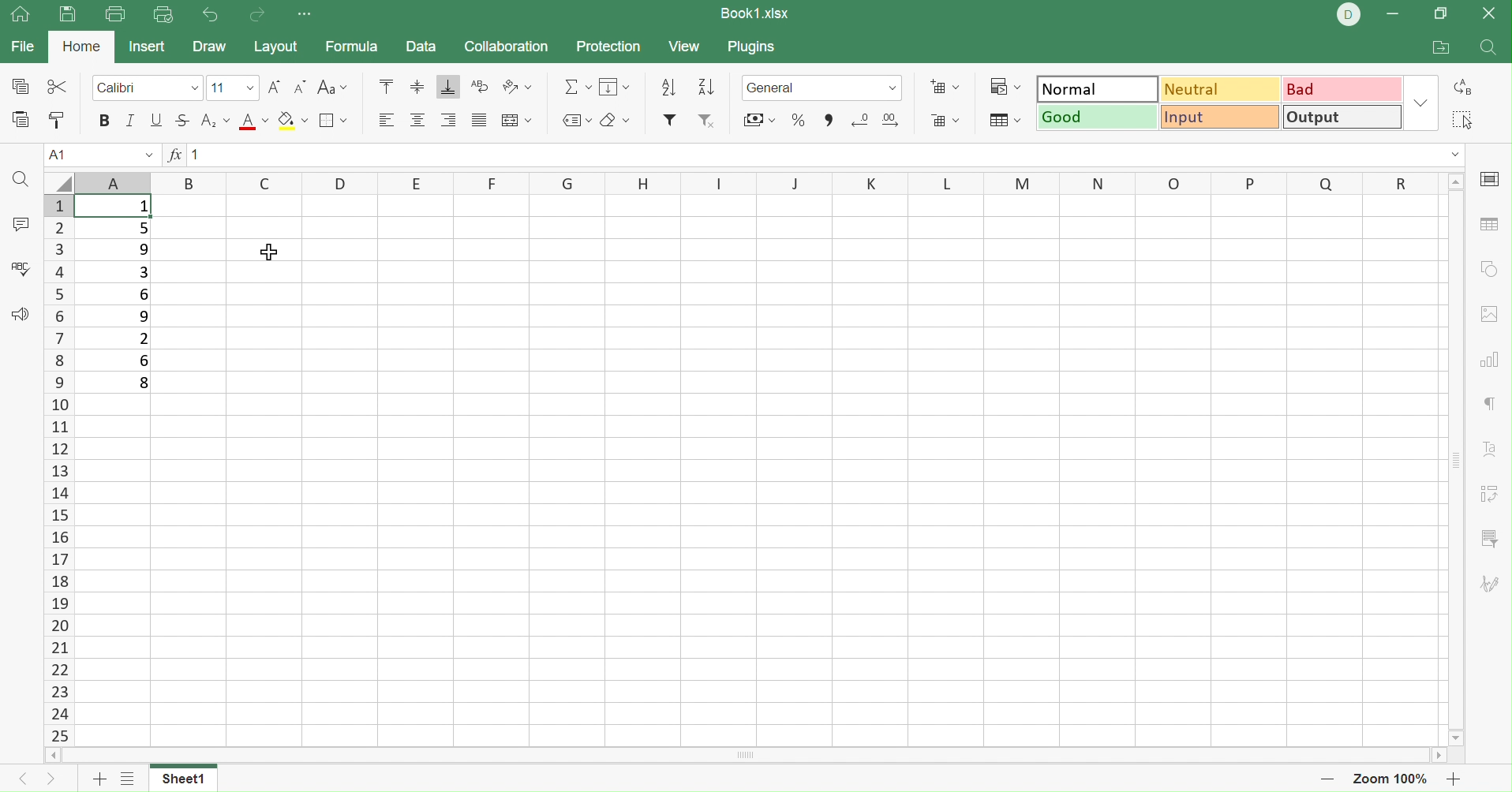 This screenshot has height=792, width=1512. What do you see at coordinates (1095, 120) in the screenshot?
I see `Good` at bounding box center [1095, 120].